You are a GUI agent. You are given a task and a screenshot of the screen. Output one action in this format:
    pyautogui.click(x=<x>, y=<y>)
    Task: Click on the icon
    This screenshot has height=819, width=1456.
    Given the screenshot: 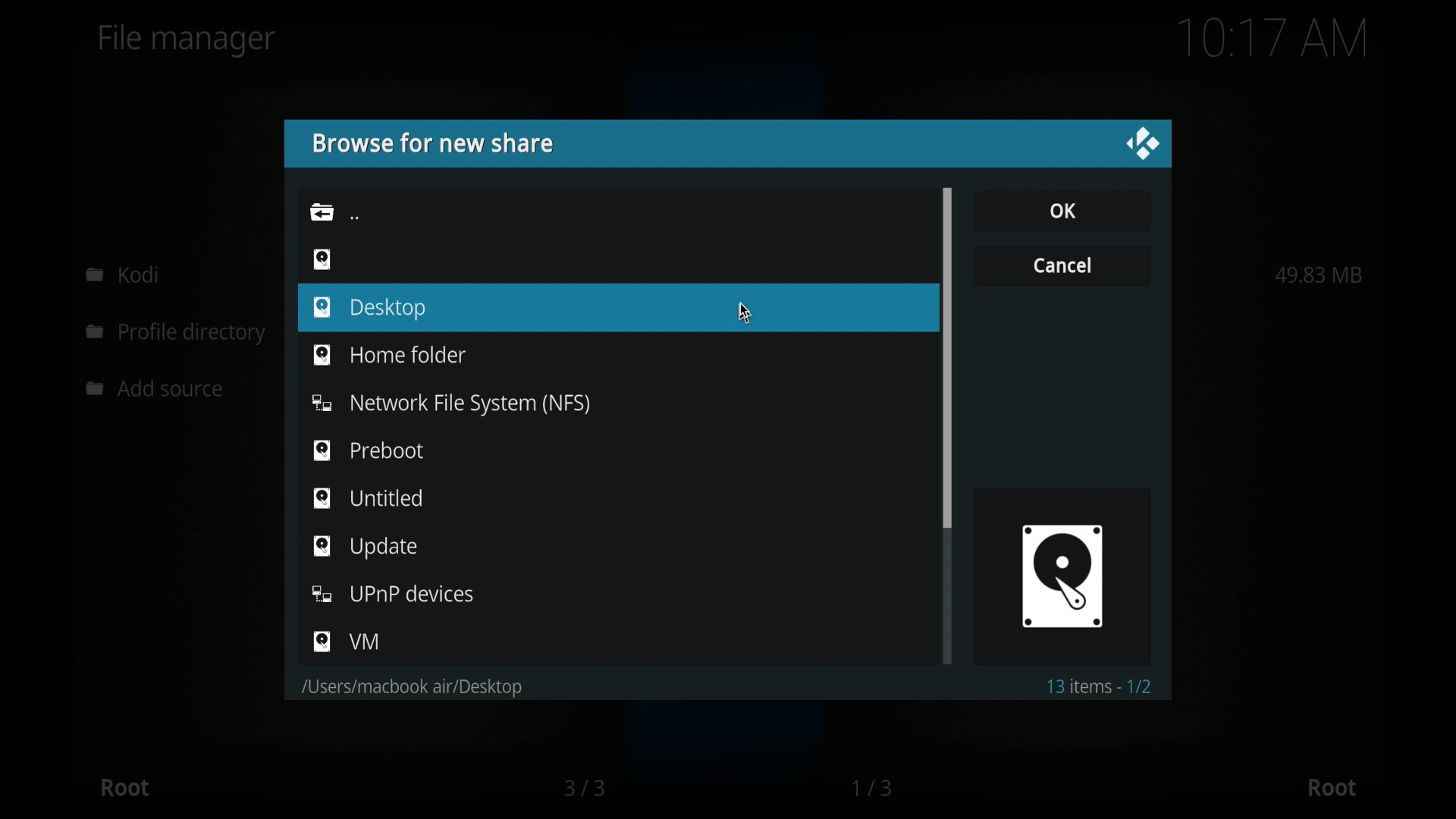 What is the action you would take?
    pyautogui.click(x=322, y=258)
    